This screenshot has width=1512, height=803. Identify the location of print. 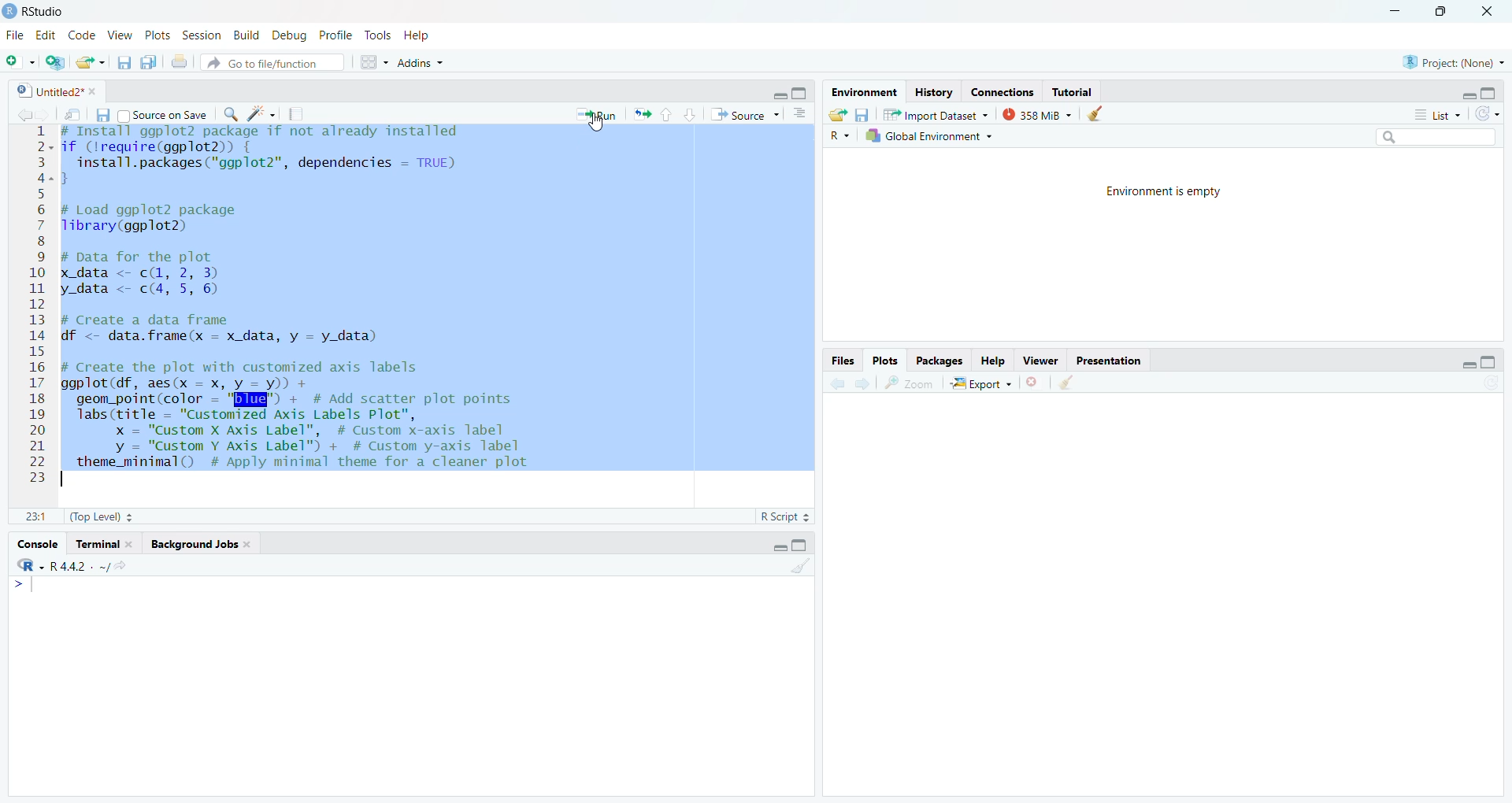
(181, 65).